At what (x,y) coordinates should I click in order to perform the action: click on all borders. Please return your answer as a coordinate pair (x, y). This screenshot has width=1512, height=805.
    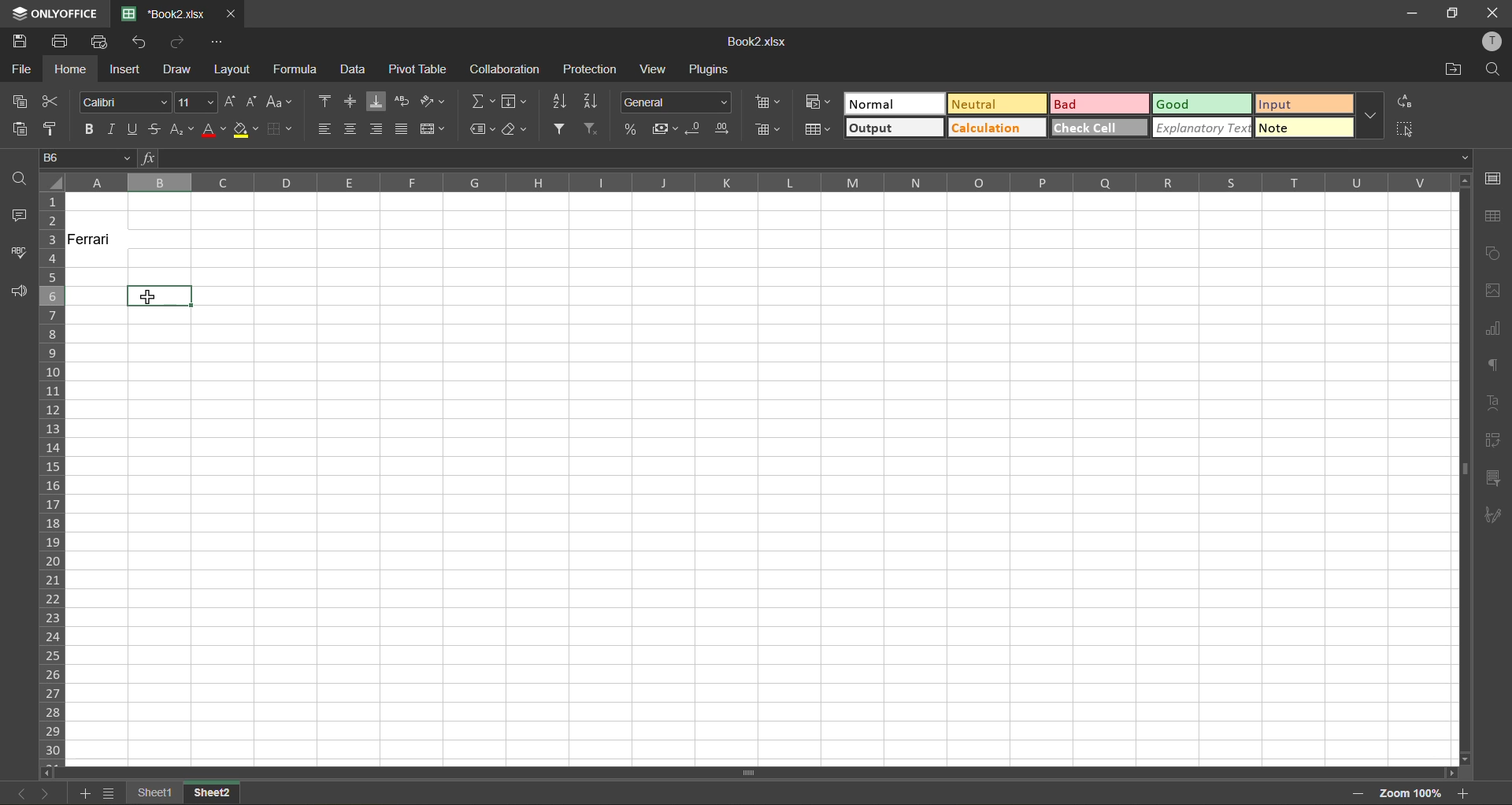
    Looking at the image, I should click on (311, 184).